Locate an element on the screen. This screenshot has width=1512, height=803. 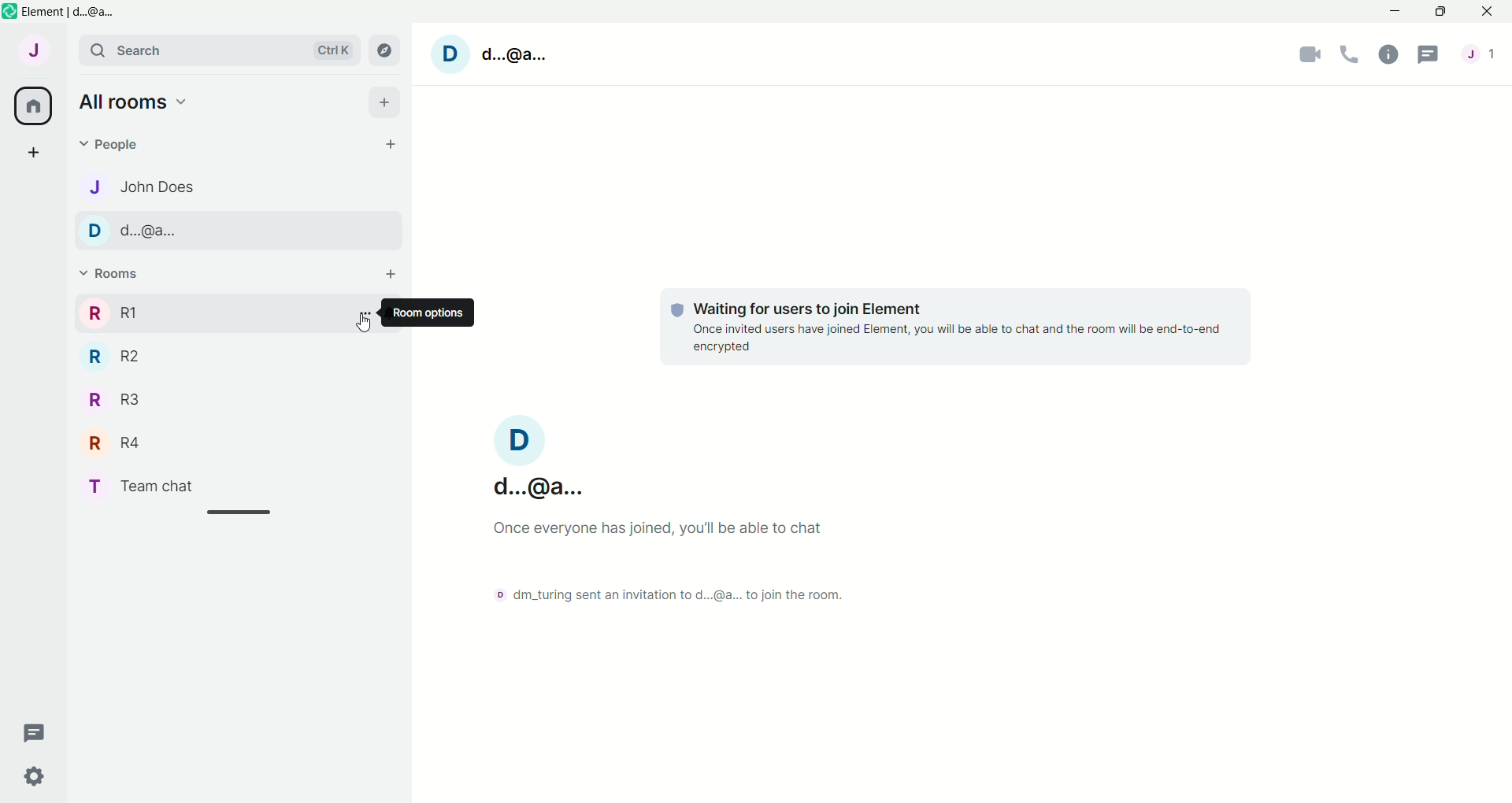
Campus is located at coordinates (387, 50).